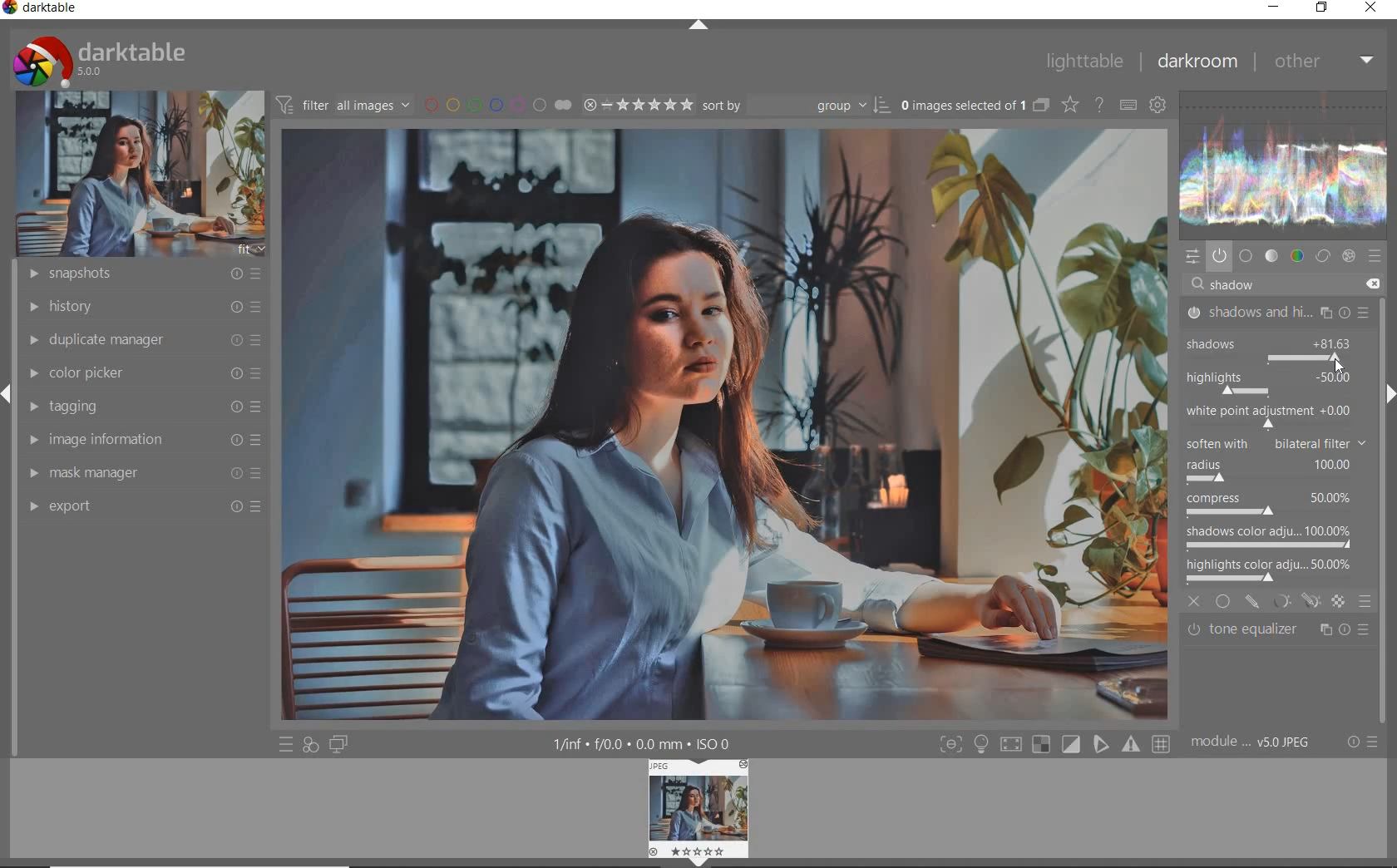 This screenshot has width=1397, height=868. I want to click on editor, so click(1211, 284).